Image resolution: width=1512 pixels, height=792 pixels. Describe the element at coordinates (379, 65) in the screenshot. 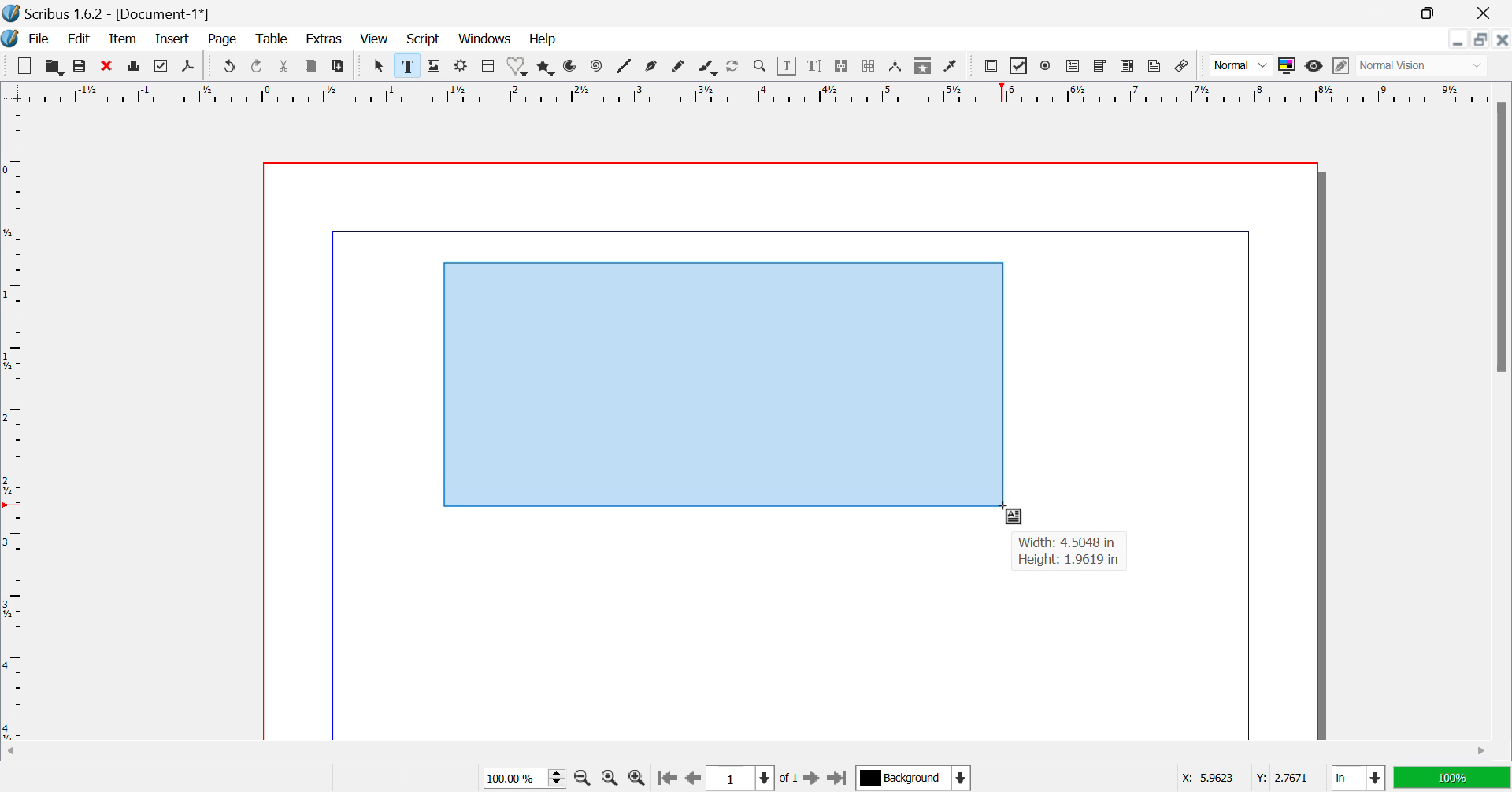

I see `Select` at that location.